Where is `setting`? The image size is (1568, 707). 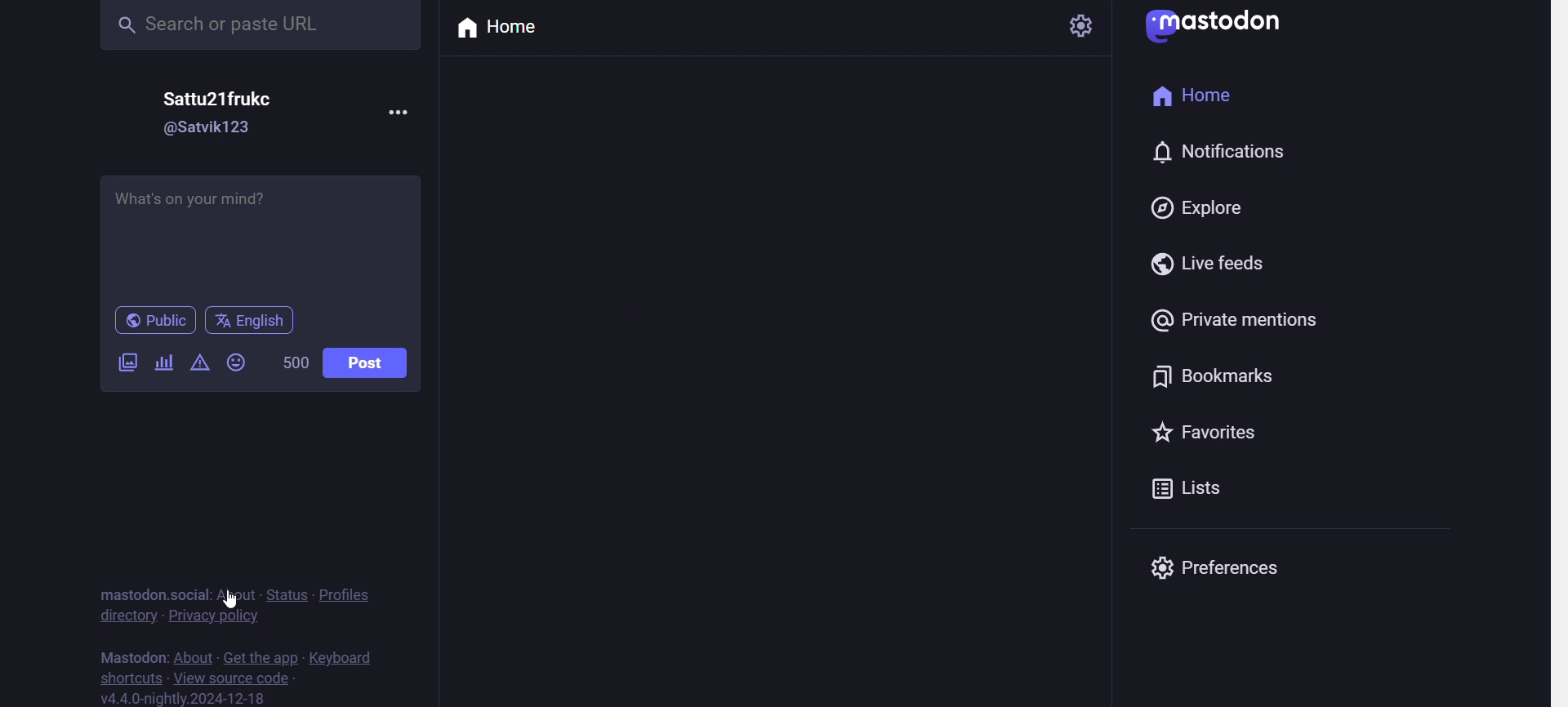 setting is located at coordinates (1082, 31).